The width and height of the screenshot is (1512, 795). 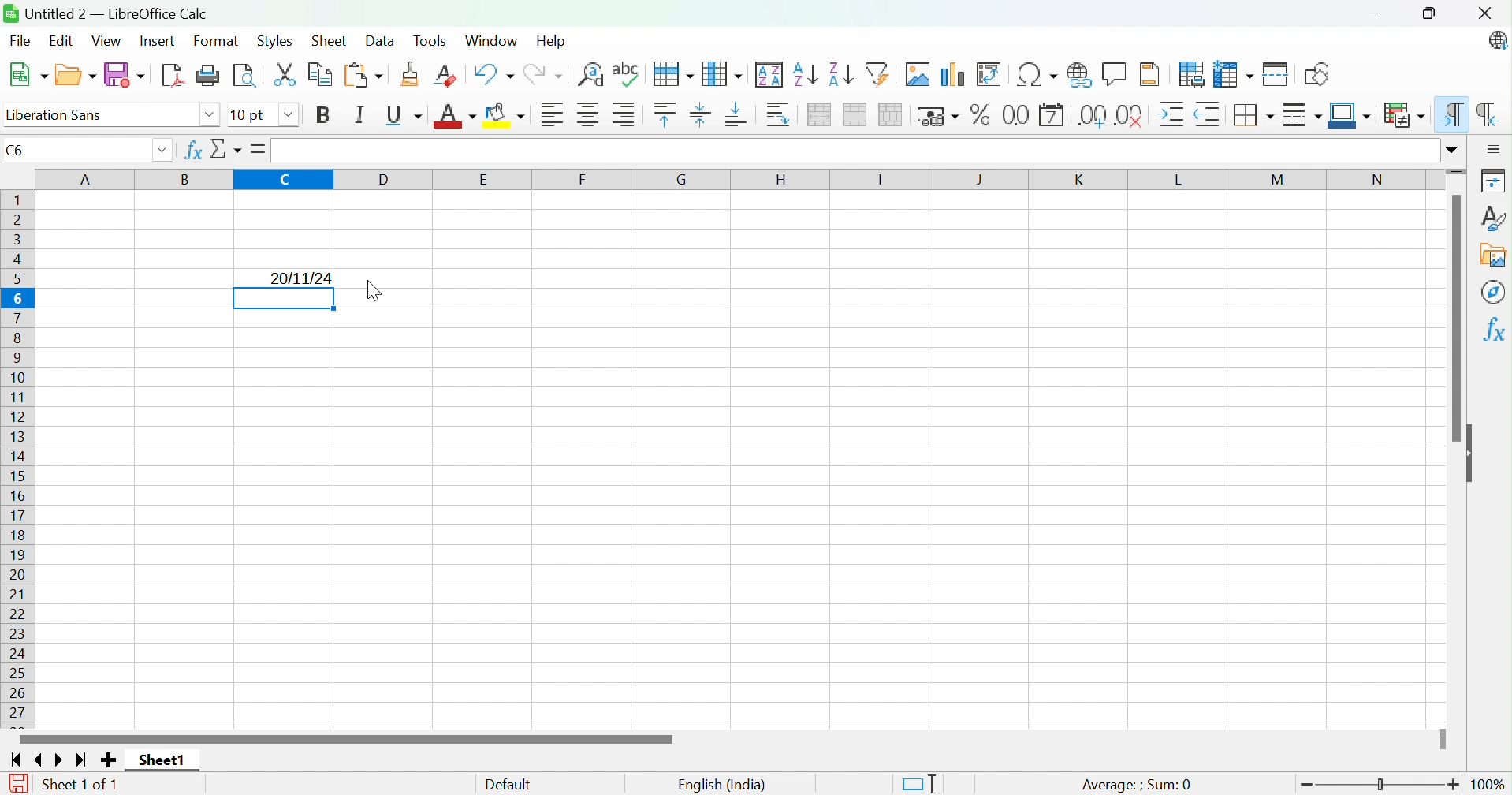 What do you see at coordinates (157, 40) in the screenshot?
I see `Insert` at bounding box center [157, 40].